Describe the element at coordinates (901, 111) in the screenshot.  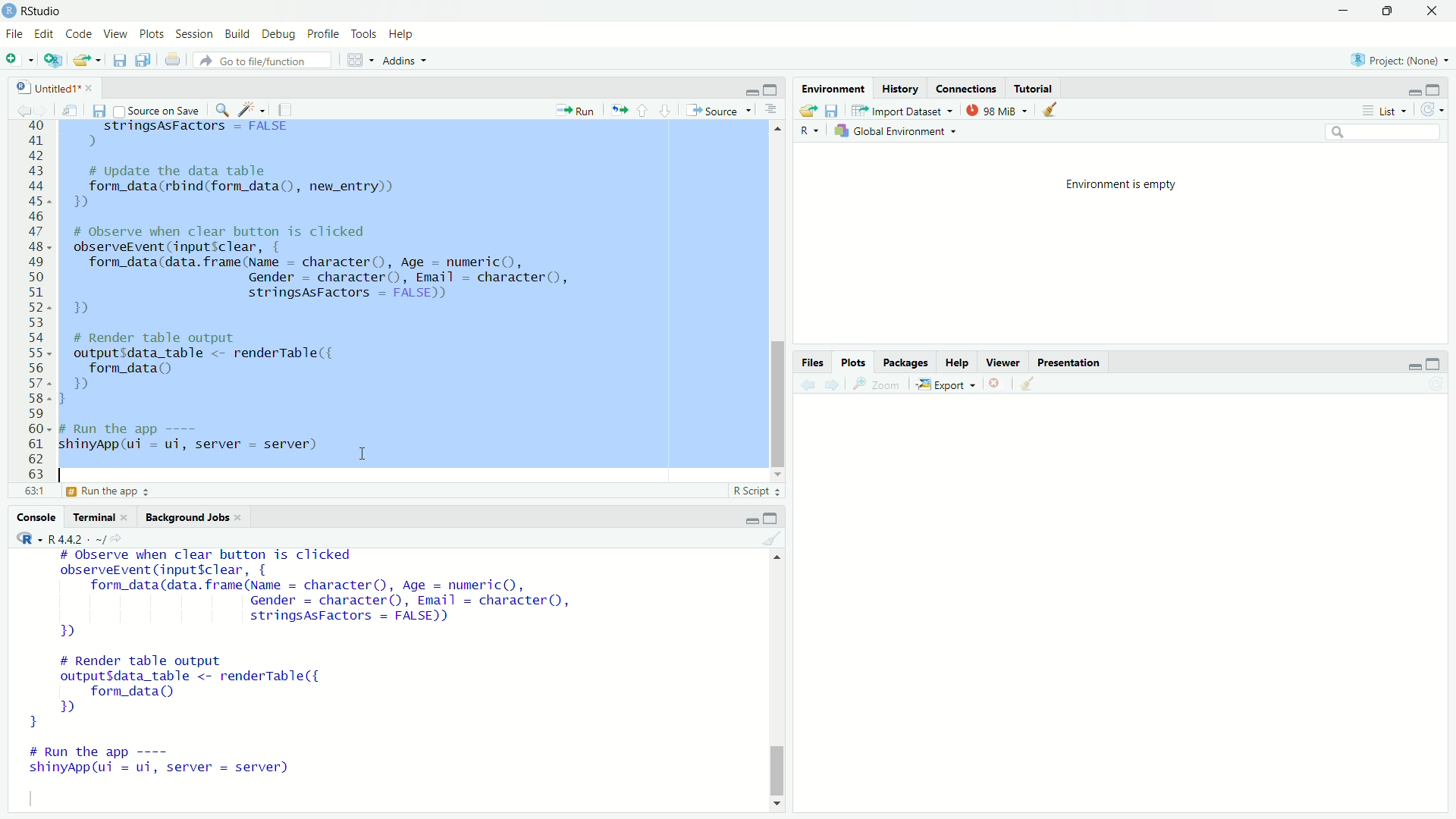
I see `import dataset` at that location.